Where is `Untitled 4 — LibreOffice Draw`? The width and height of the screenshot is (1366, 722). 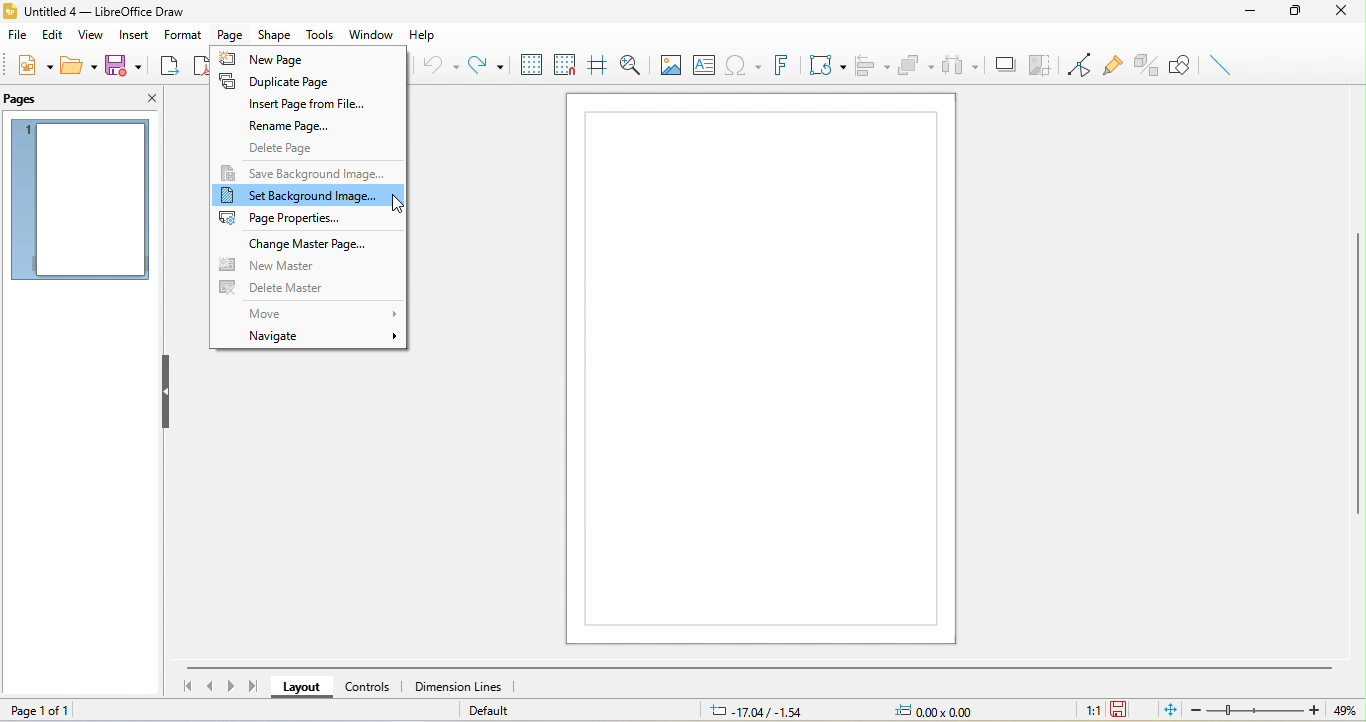 Untitled 4 — LibreOffice Draw is located at coordinates (97, 9).